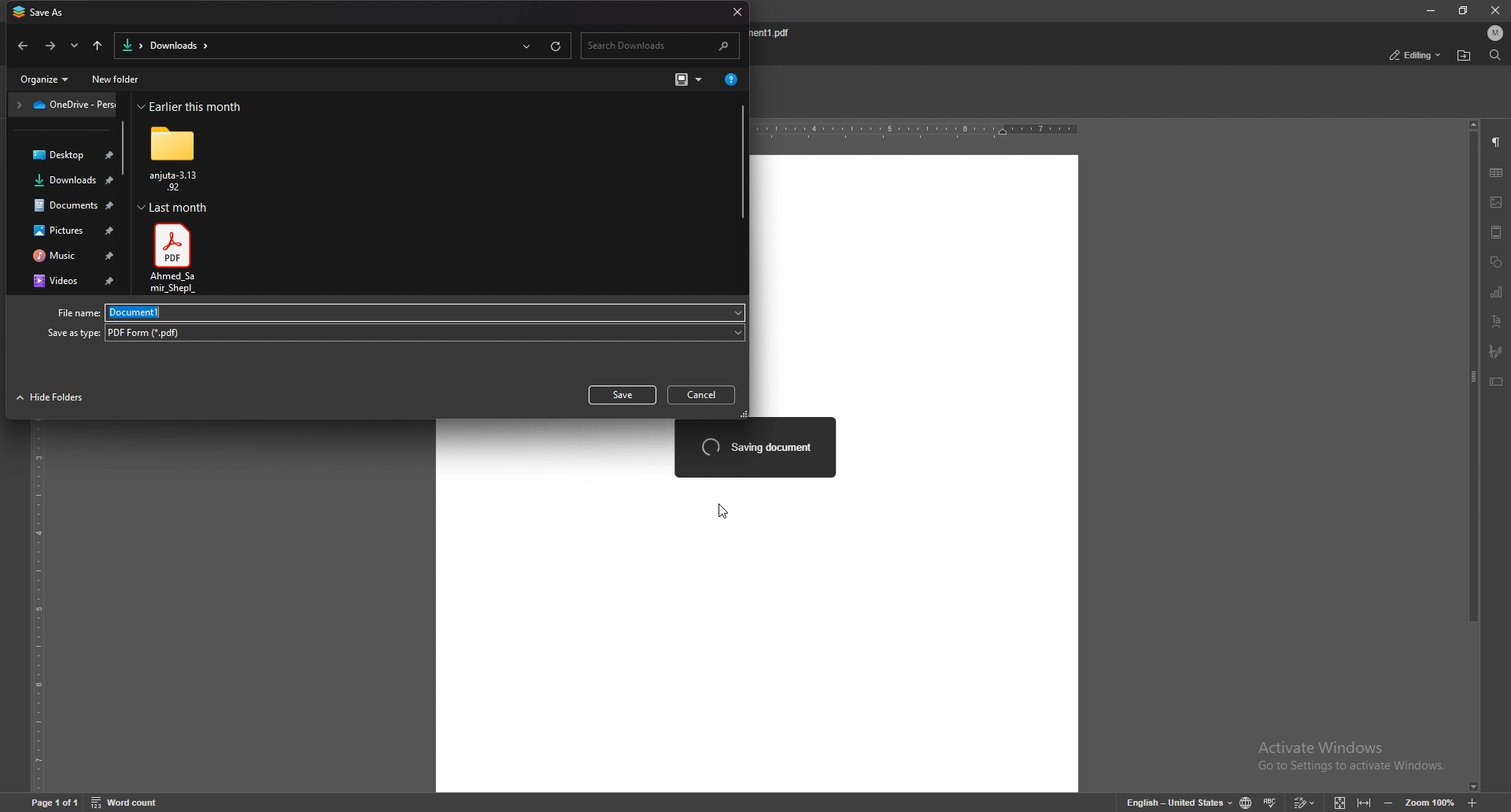 Image resolution: width=1511 pixels, height=812 pixels. I want to click on scroll bar, so click(742, 162).